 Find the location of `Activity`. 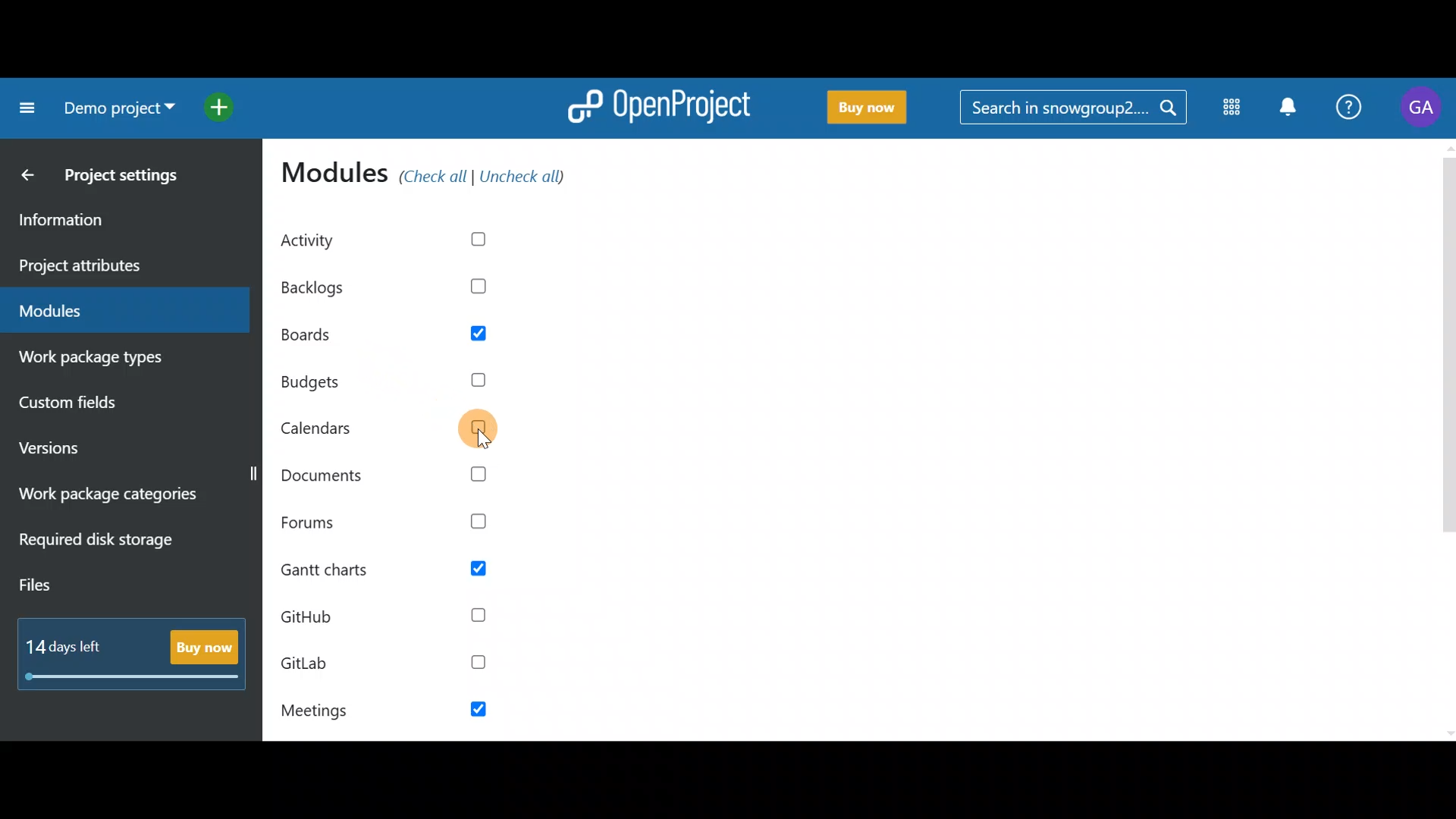

Activity is located at coordinates (391, 237).